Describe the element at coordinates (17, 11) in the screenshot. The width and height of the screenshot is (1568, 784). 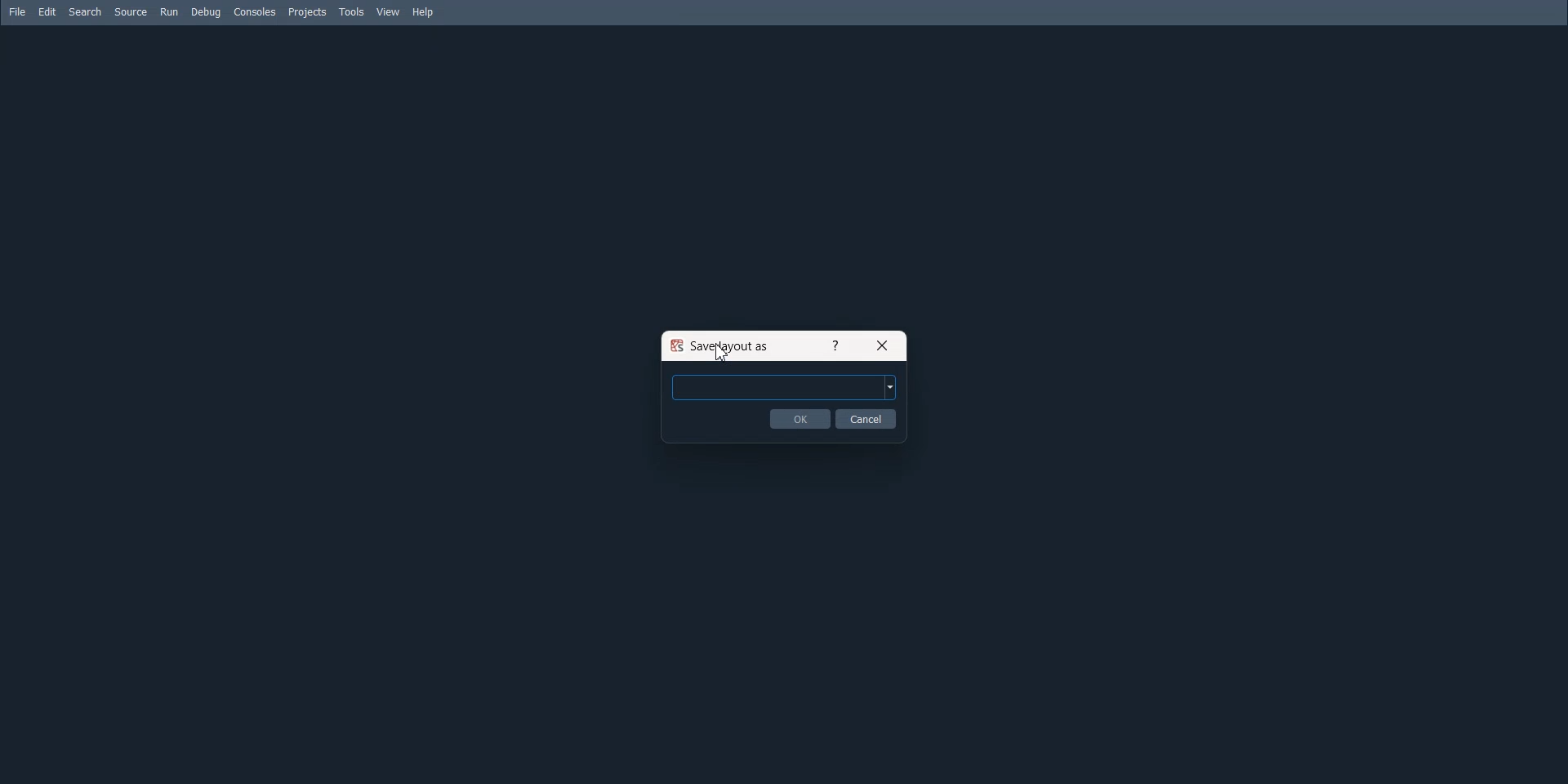
I see `File` at that location.